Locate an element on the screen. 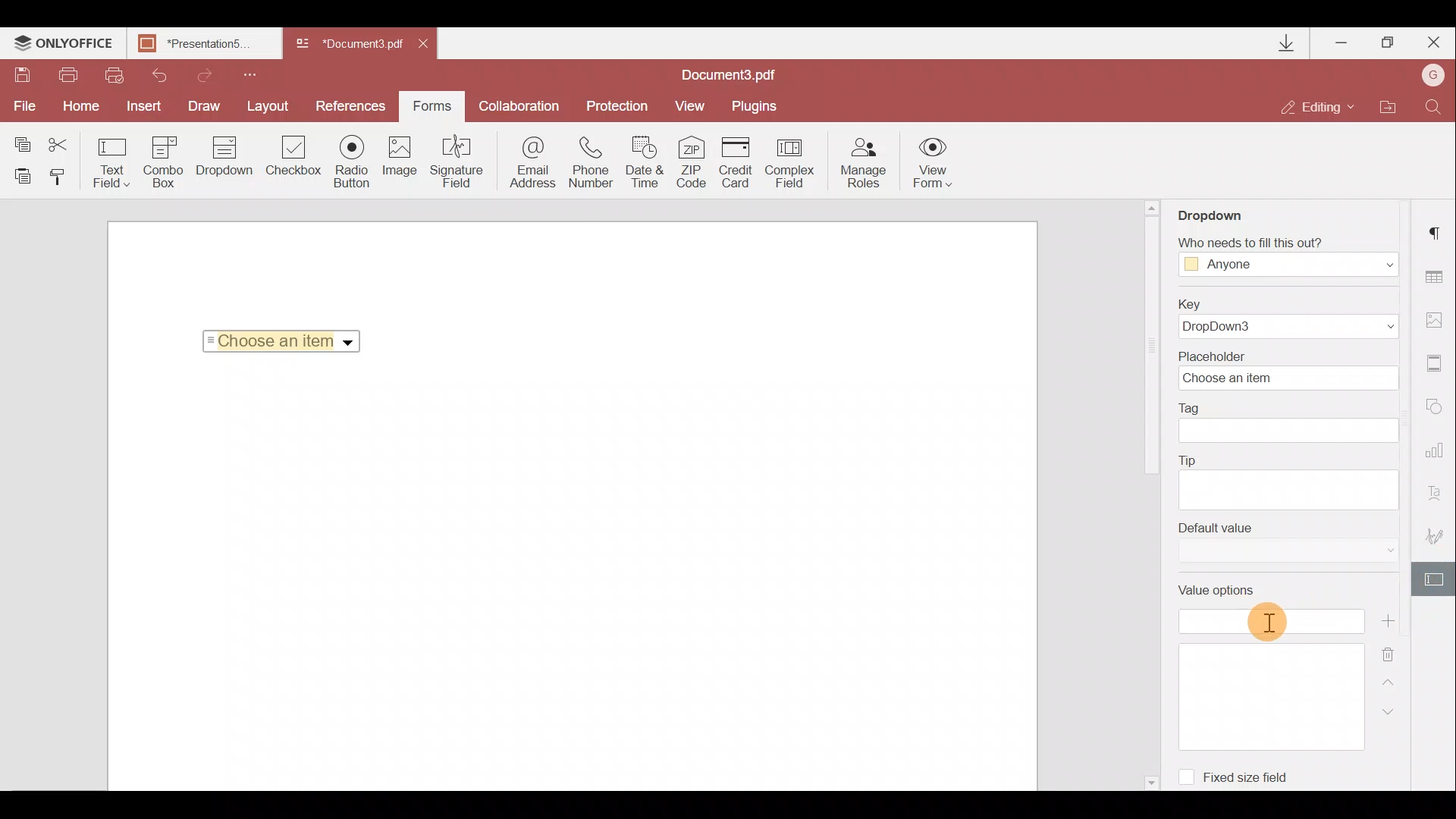  Save is located at coordinates (22, 75).